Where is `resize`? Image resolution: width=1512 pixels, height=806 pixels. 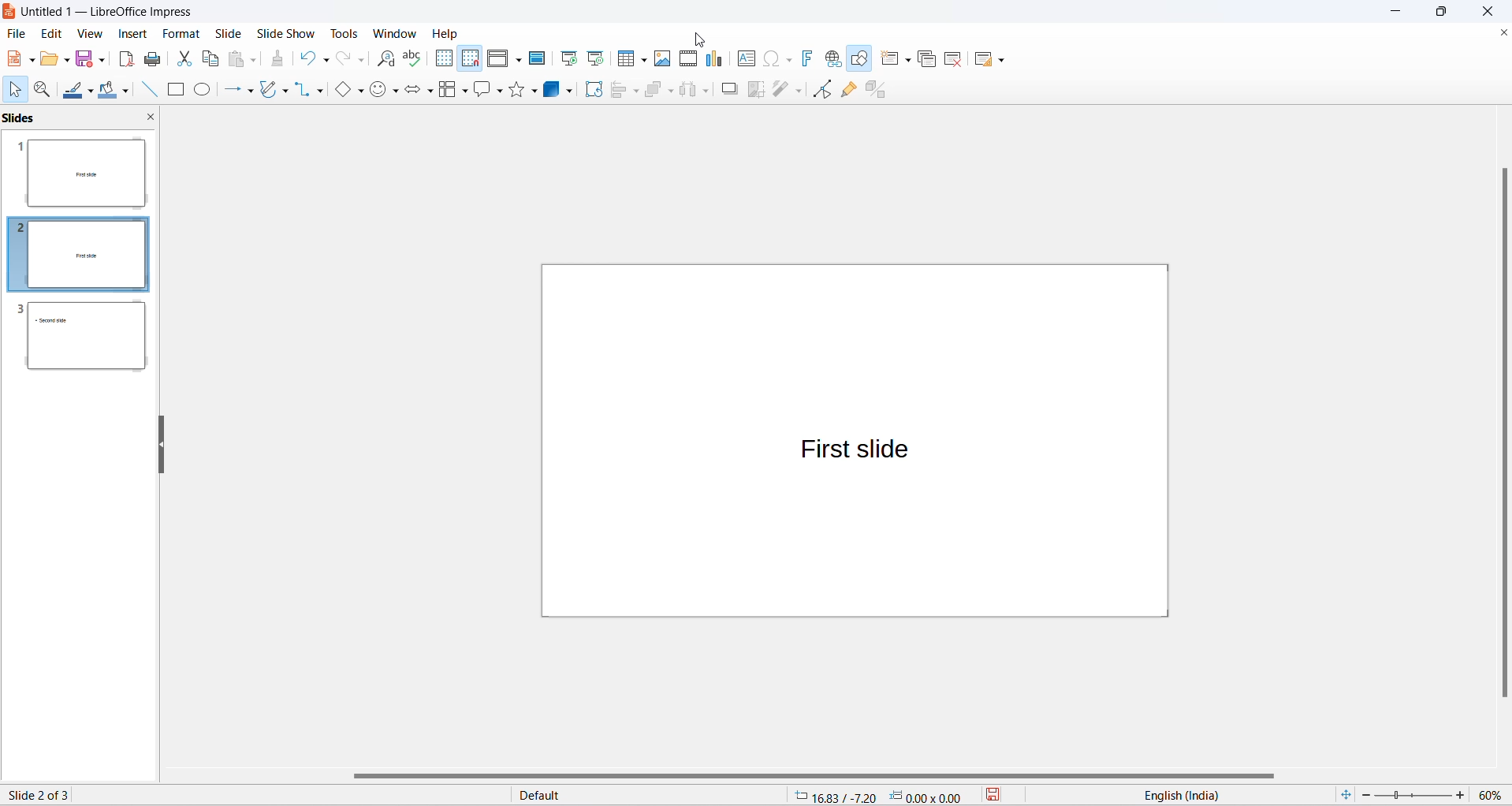
resize is located at coordinates (163, 445).